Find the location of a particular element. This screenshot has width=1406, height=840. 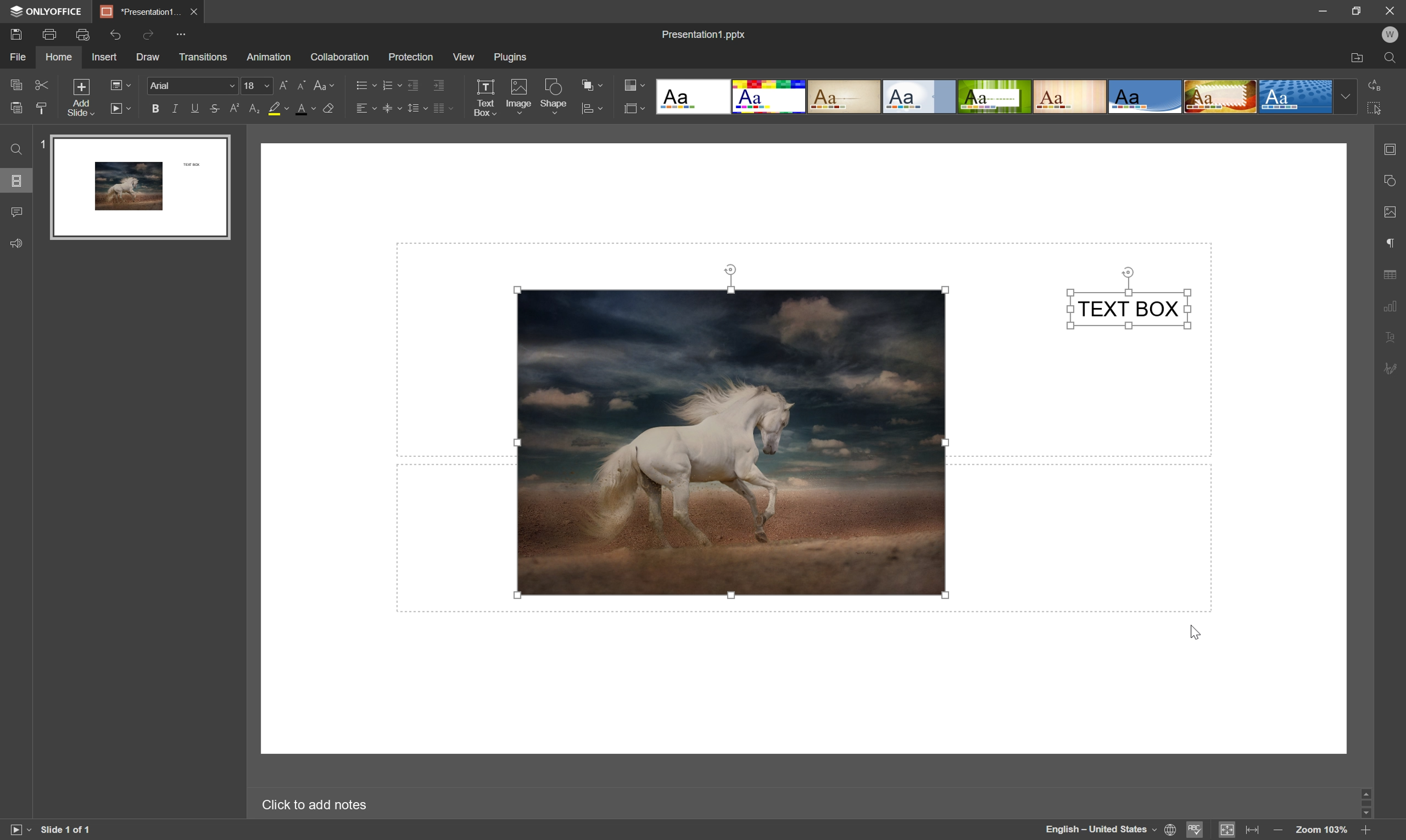

comments is located at coordinates (19, 211).